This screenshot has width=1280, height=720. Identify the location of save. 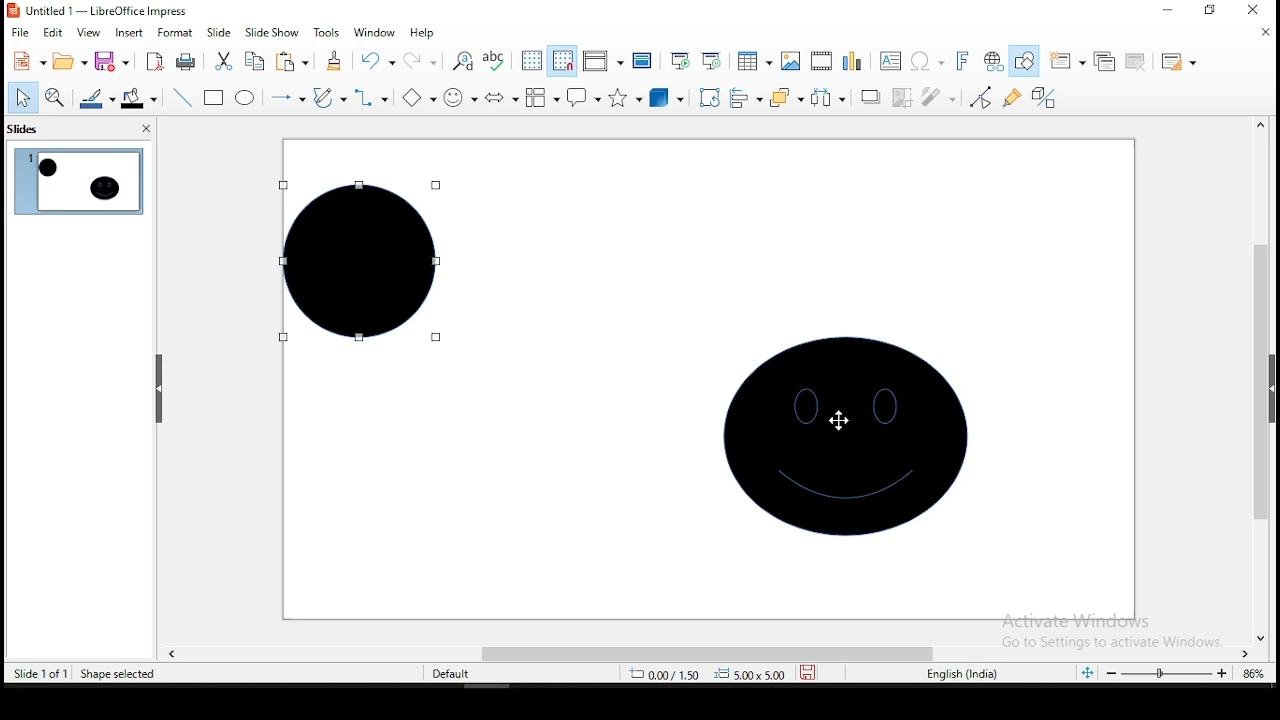
(112, 63).